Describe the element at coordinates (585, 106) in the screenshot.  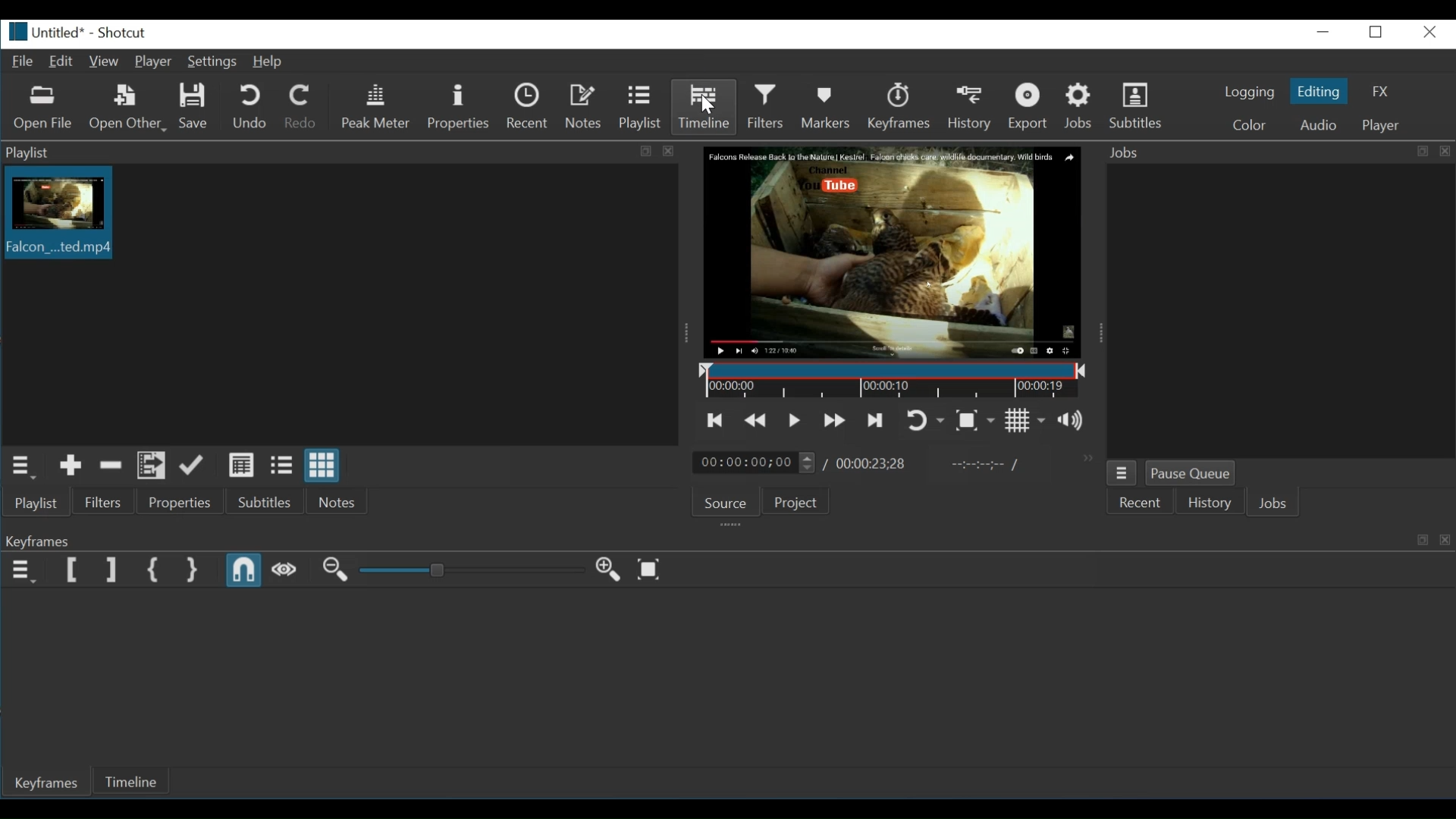
I see `Notes` at that location.